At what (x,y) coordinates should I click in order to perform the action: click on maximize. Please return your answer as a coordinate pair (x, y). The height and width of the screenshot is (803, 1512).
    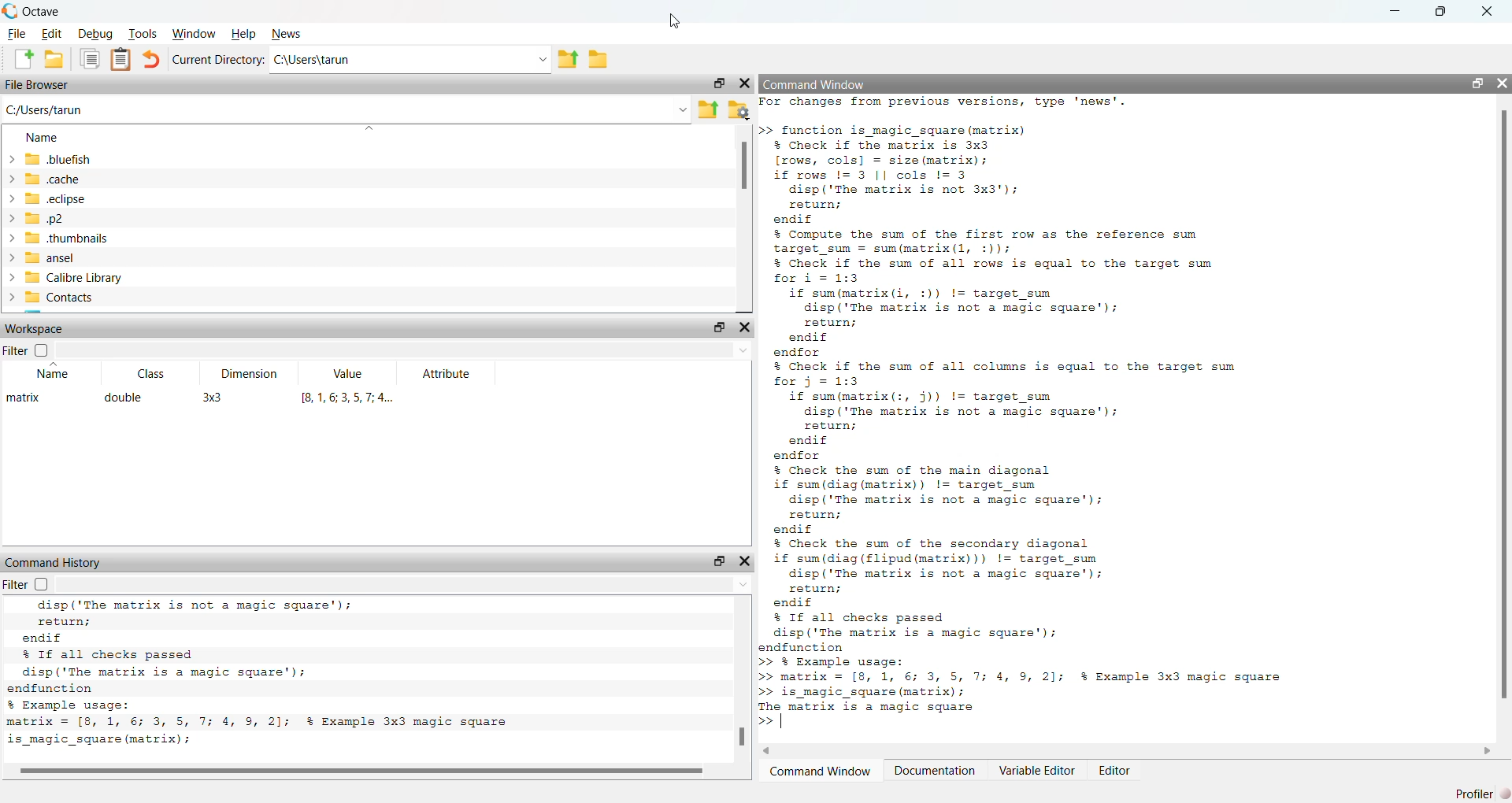
    Looking at the image, I should click on (717, 83).